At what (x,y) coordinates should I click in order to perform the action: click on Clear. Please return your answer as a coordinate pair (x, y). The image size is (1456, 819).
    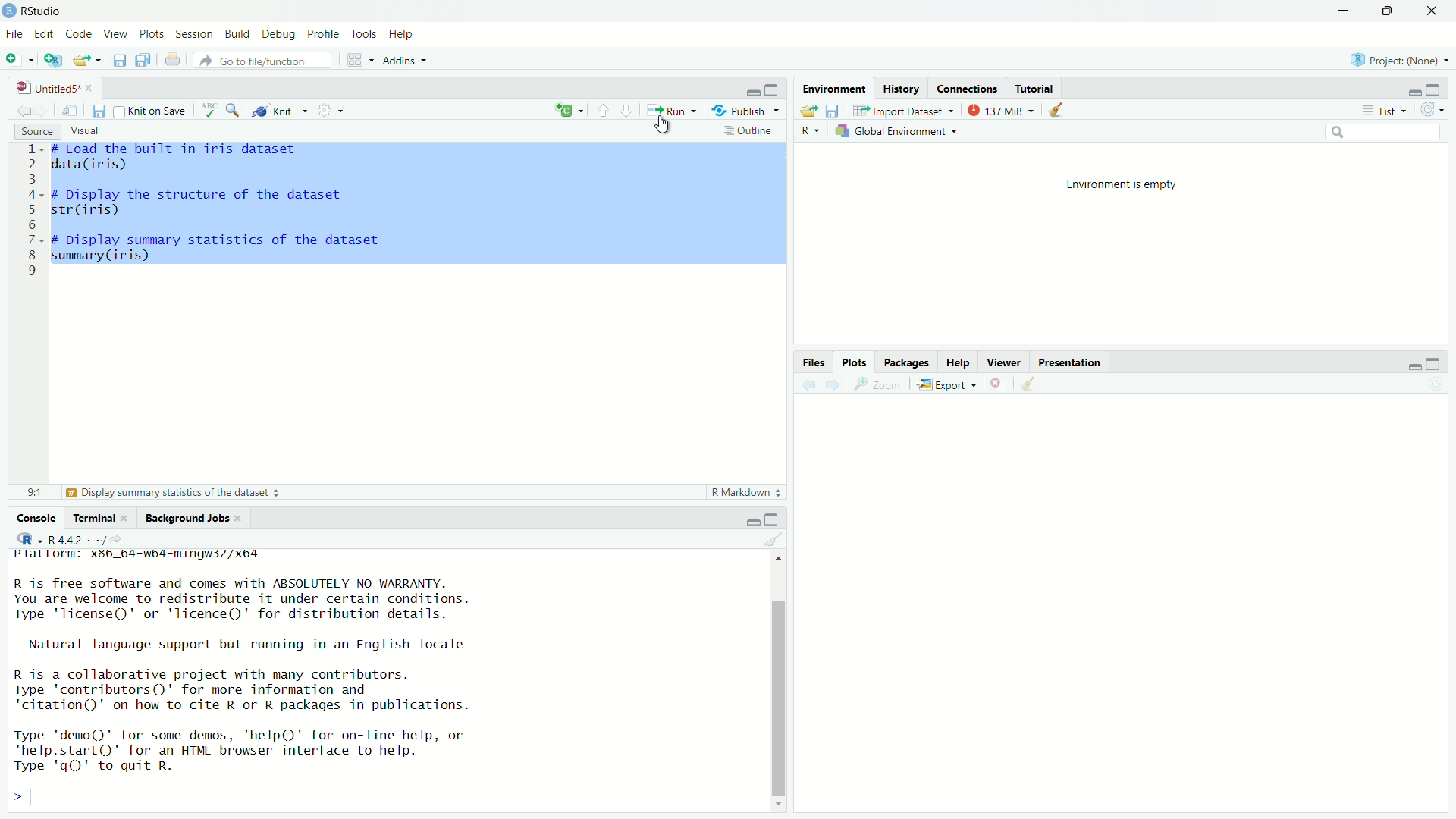
    Looking at the image, I should click on (1059, 110).